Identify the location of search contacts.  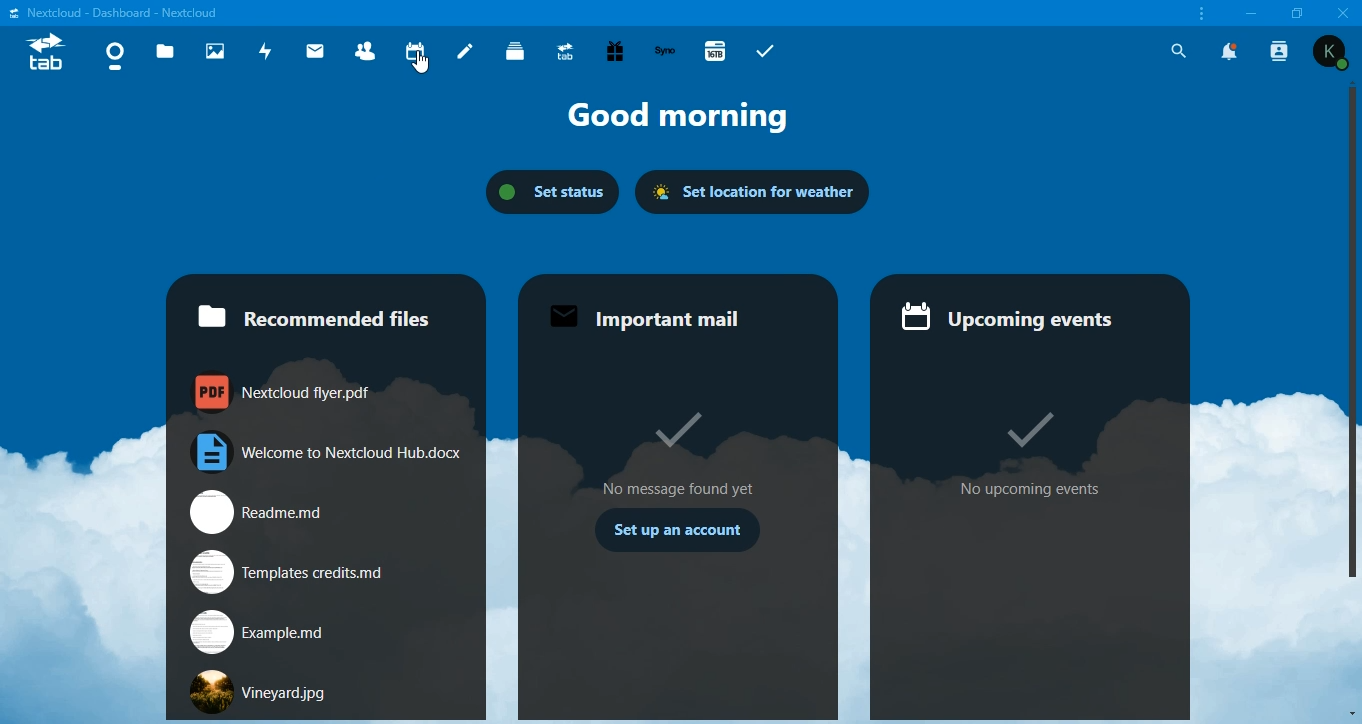
(1283, 54).